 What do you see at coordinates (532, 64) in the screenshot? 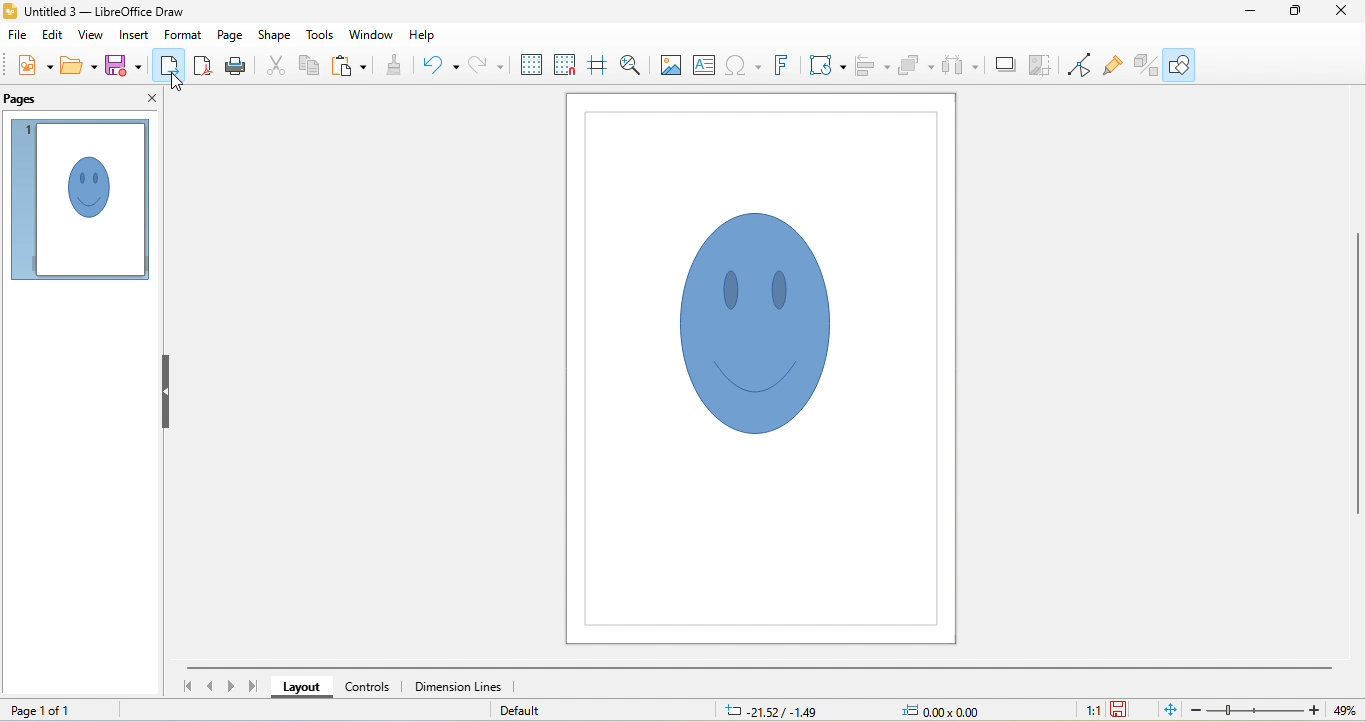
I see `display grid` at bounding box center [532, 64].